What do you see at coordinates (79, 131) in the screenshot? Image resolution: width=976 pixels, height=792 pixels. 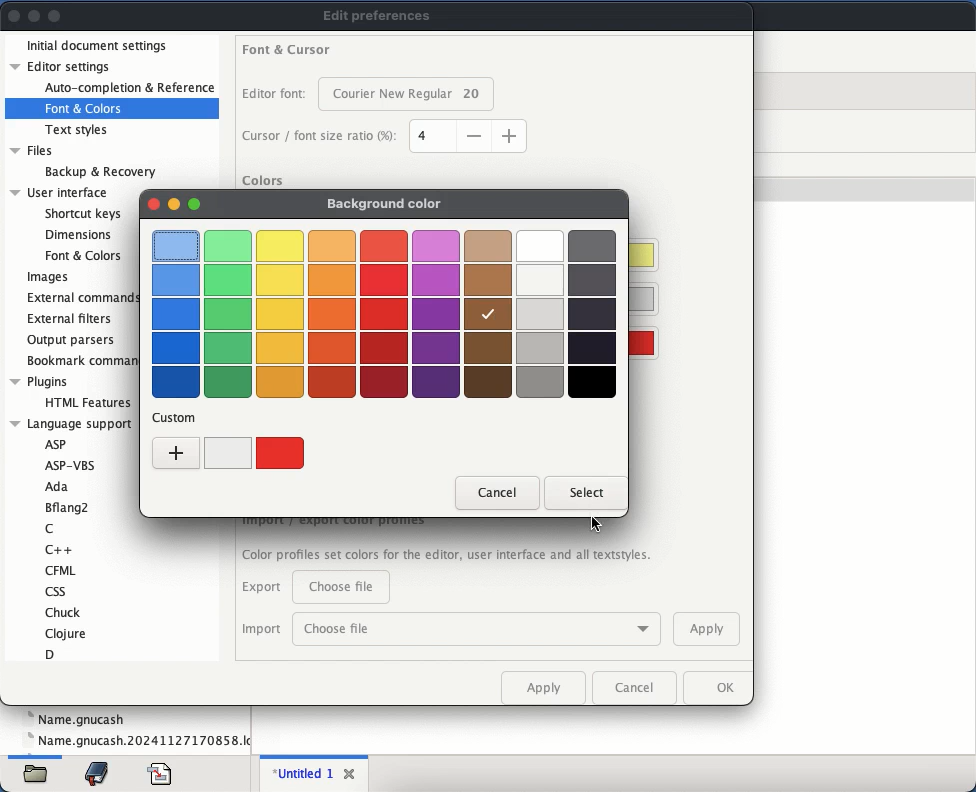 I see `text styles` at bounding box center [79, 131].